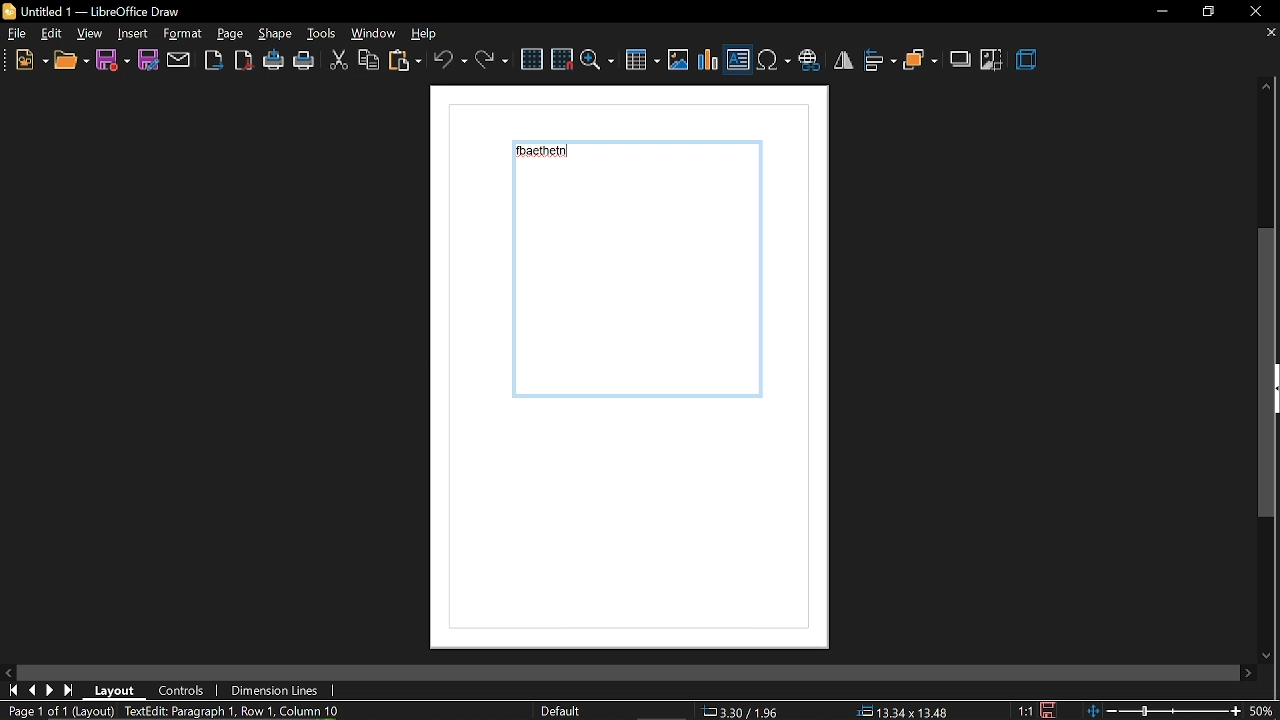 The width and height of the screenshot is (1280, 720). I want to click on co-ordinates (3.30/1.96), so click(738, 711).